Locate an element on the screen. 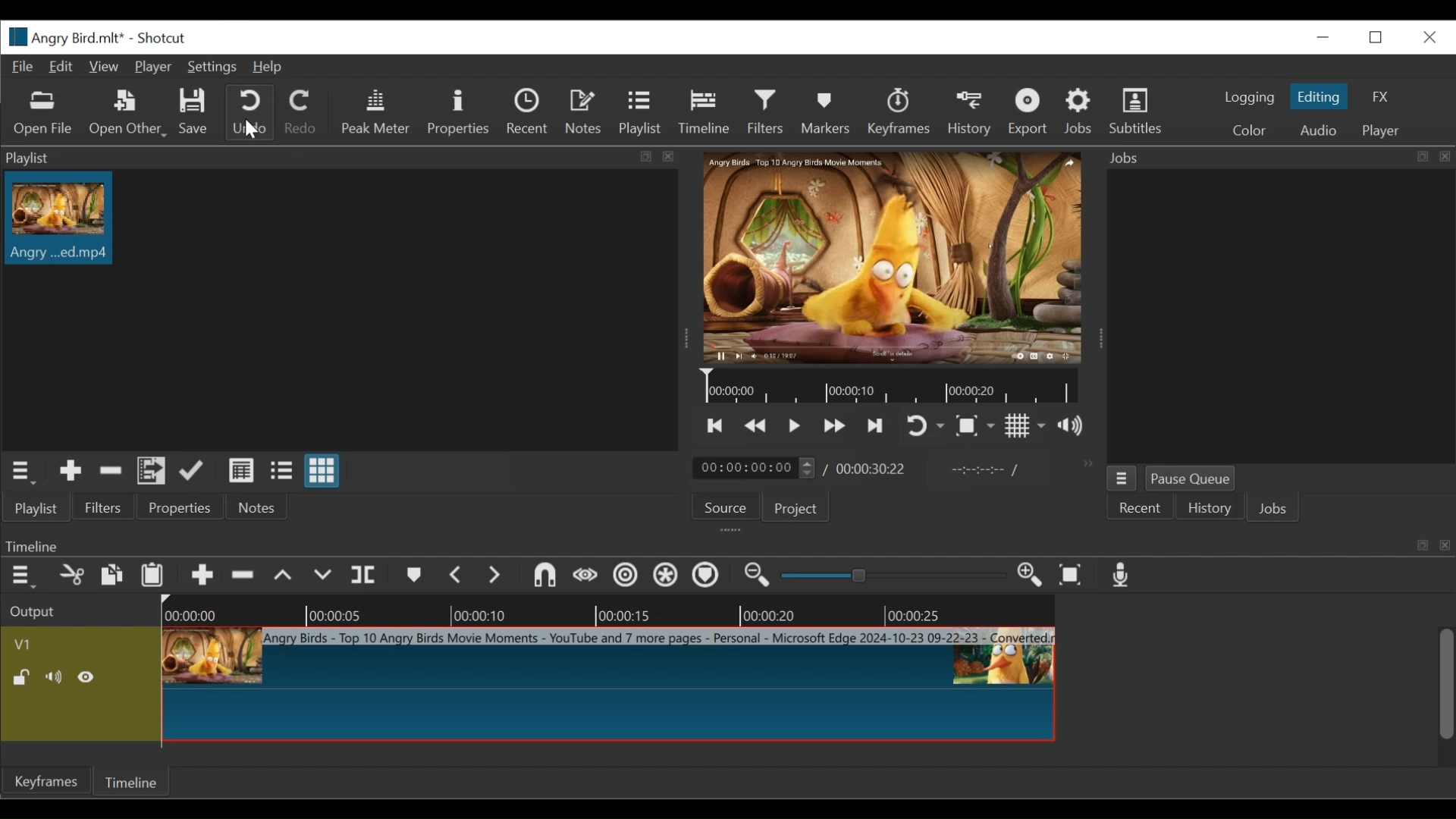  Ripple markers is located at coordinates (708, 576).